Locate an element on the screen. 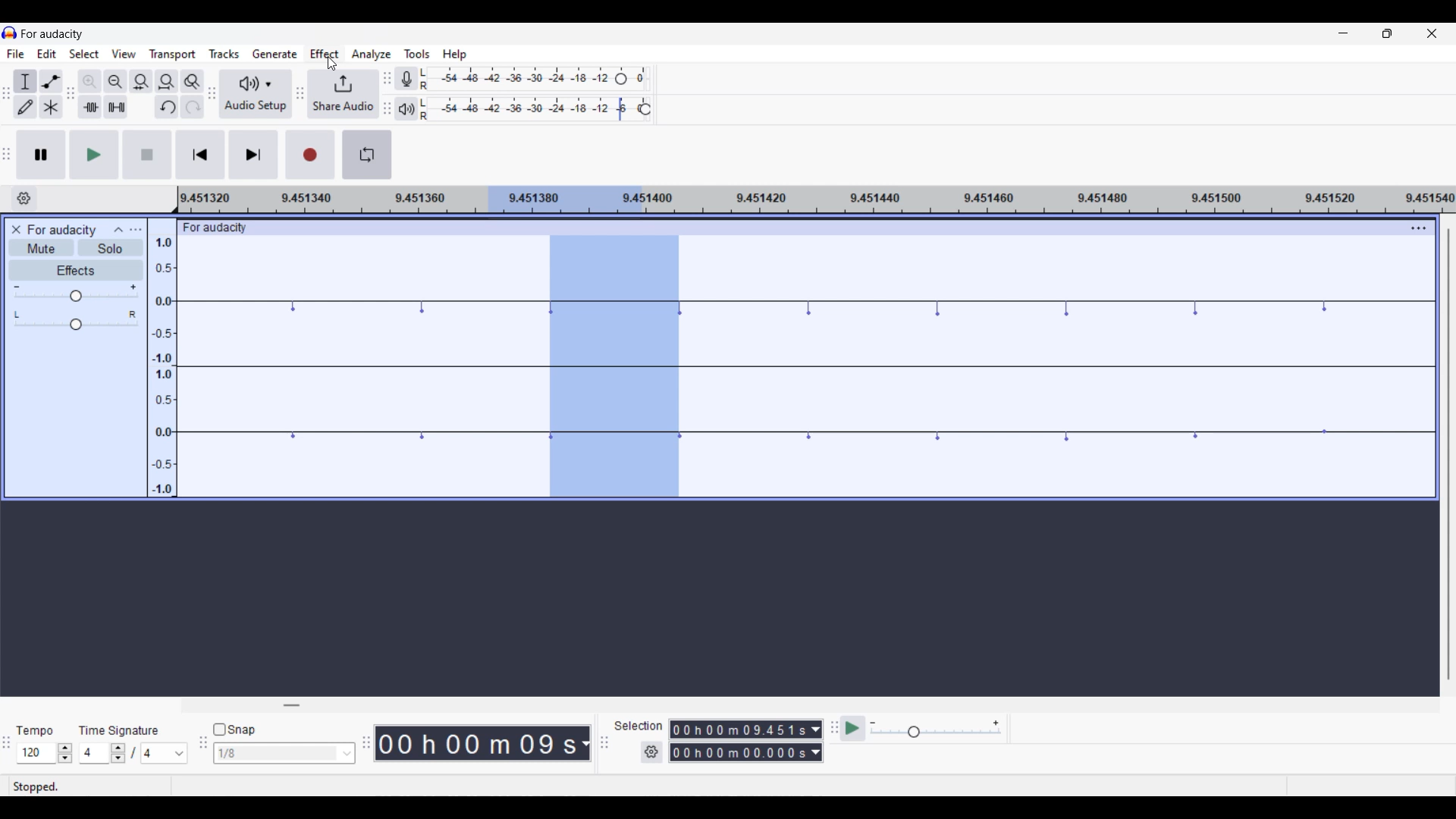  Silence audio selection is located at coordinates (117, 107).